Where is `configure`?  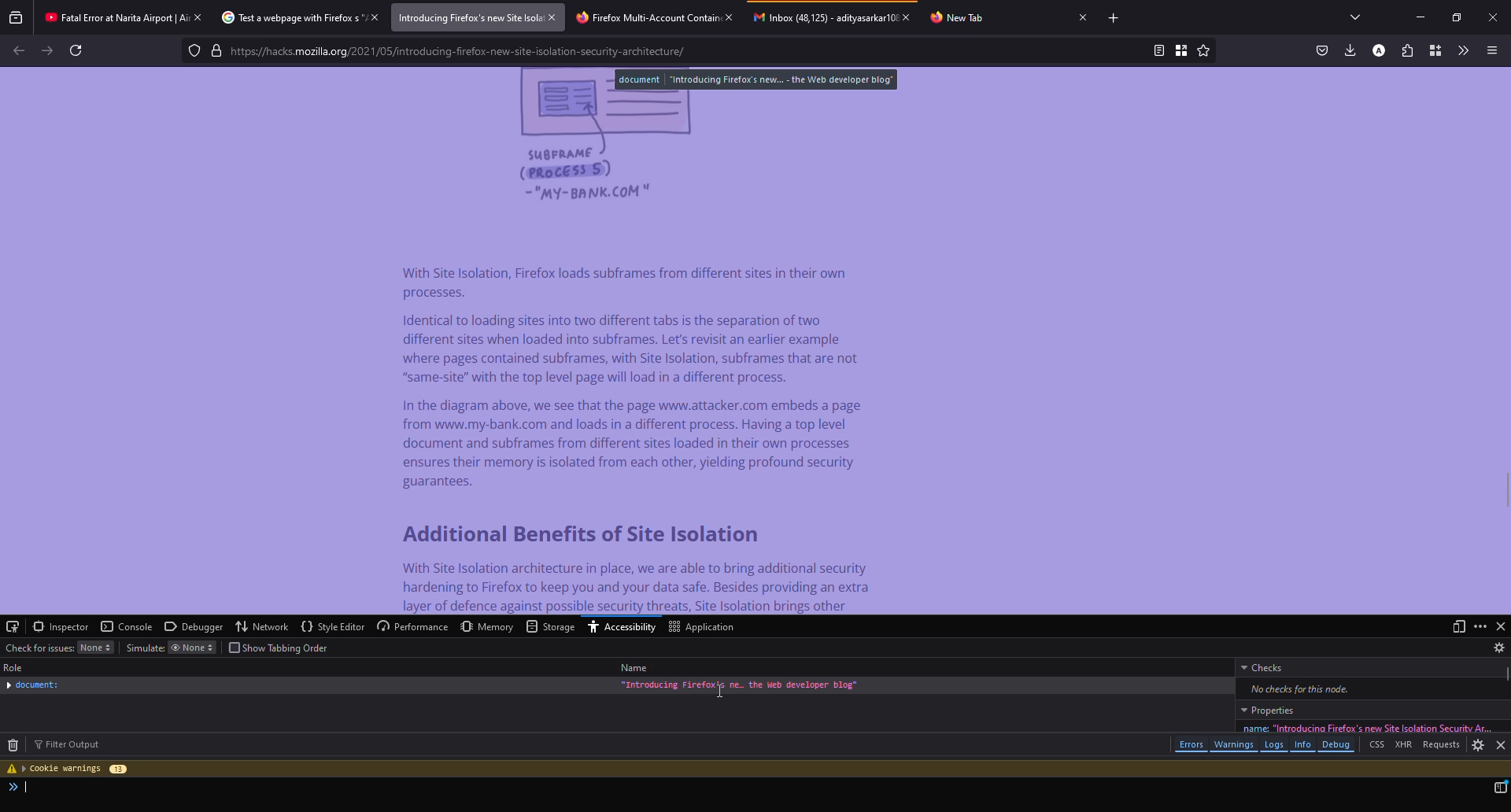
configure is located at coordinates (14, 626).